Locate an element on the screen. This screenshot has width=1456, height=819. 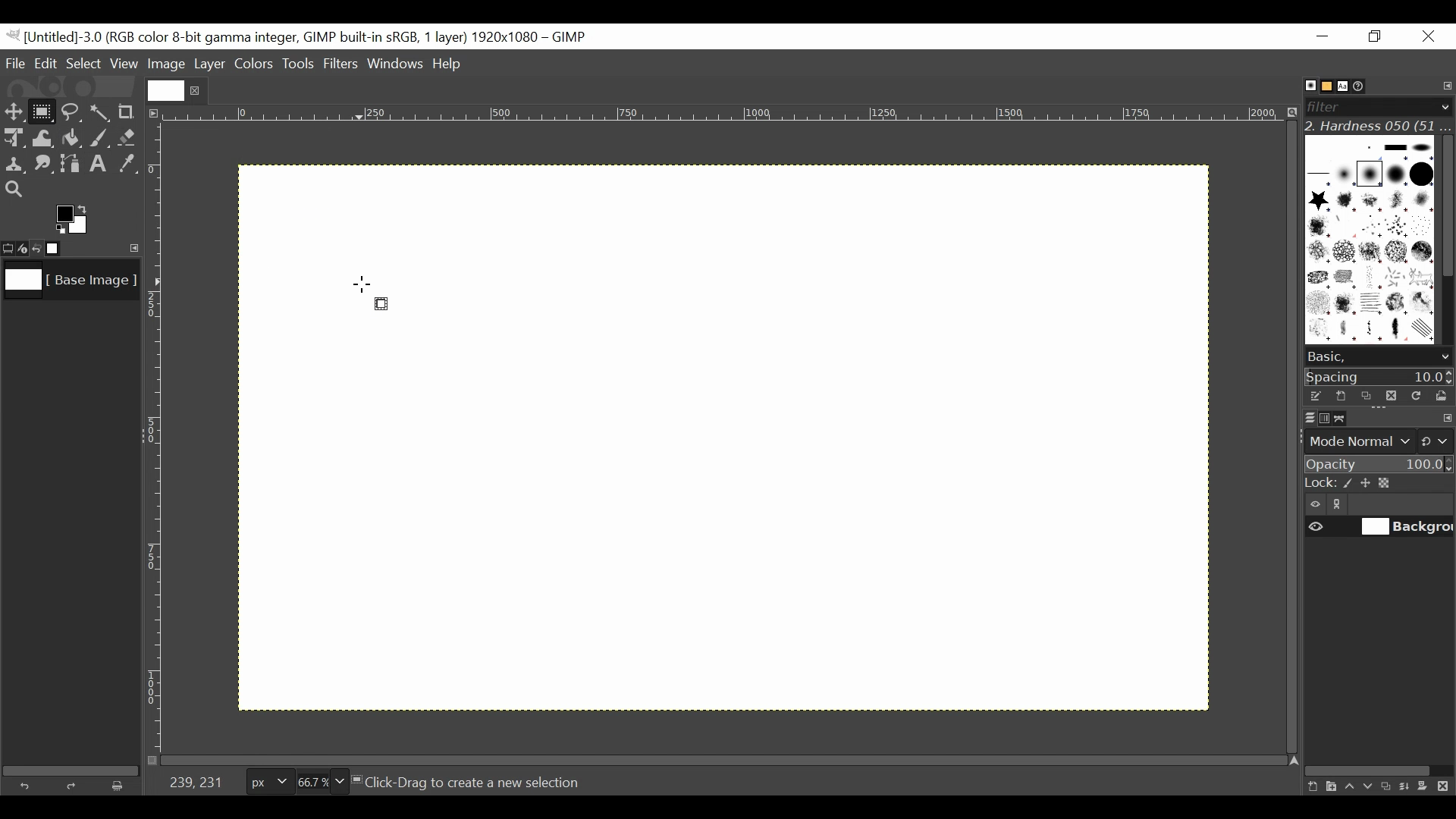
Crop tool is located at coordinates (133, 111).